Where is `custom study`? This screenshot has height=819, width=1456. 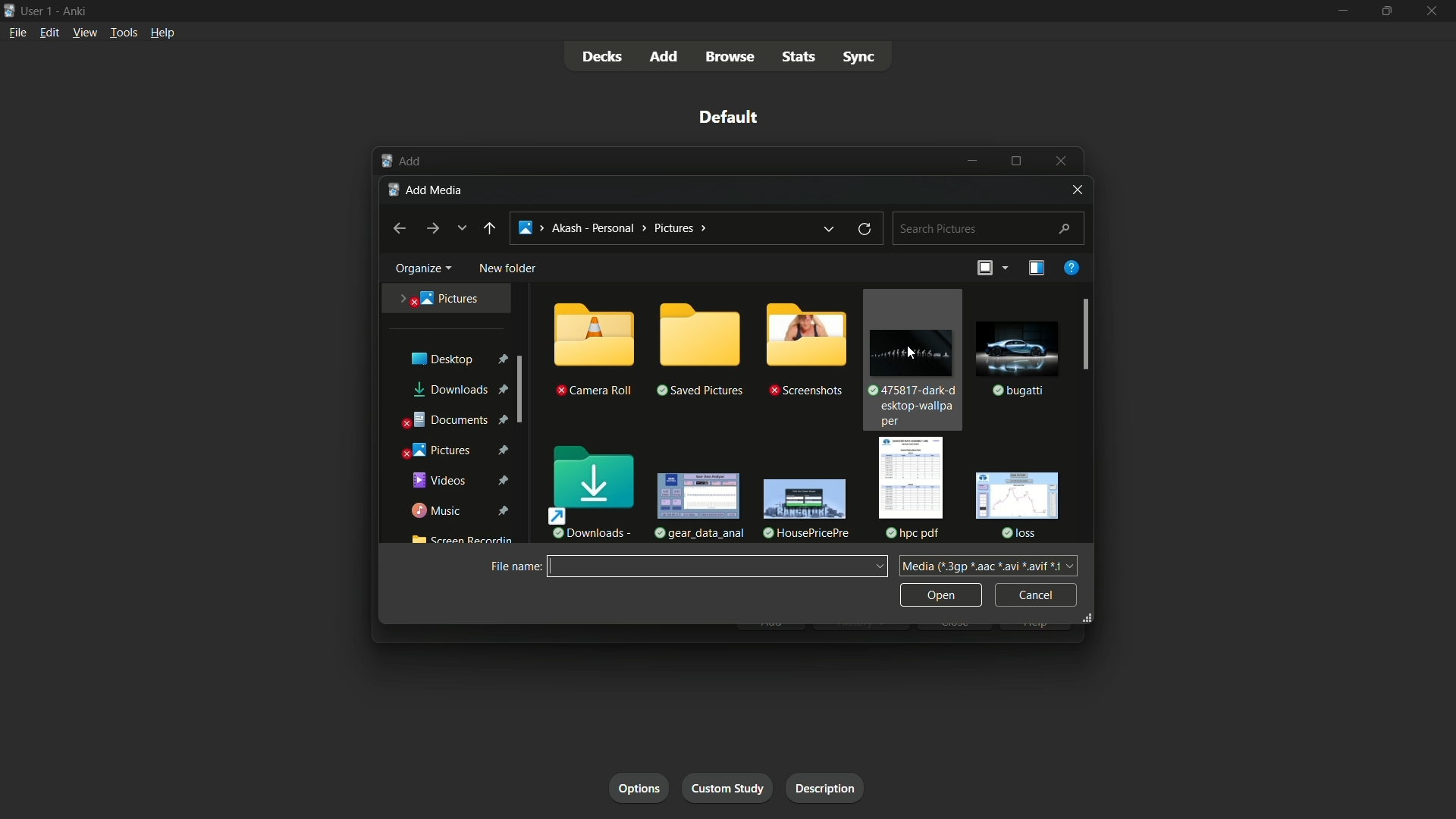 custom study is located at coordinates (730, 786).